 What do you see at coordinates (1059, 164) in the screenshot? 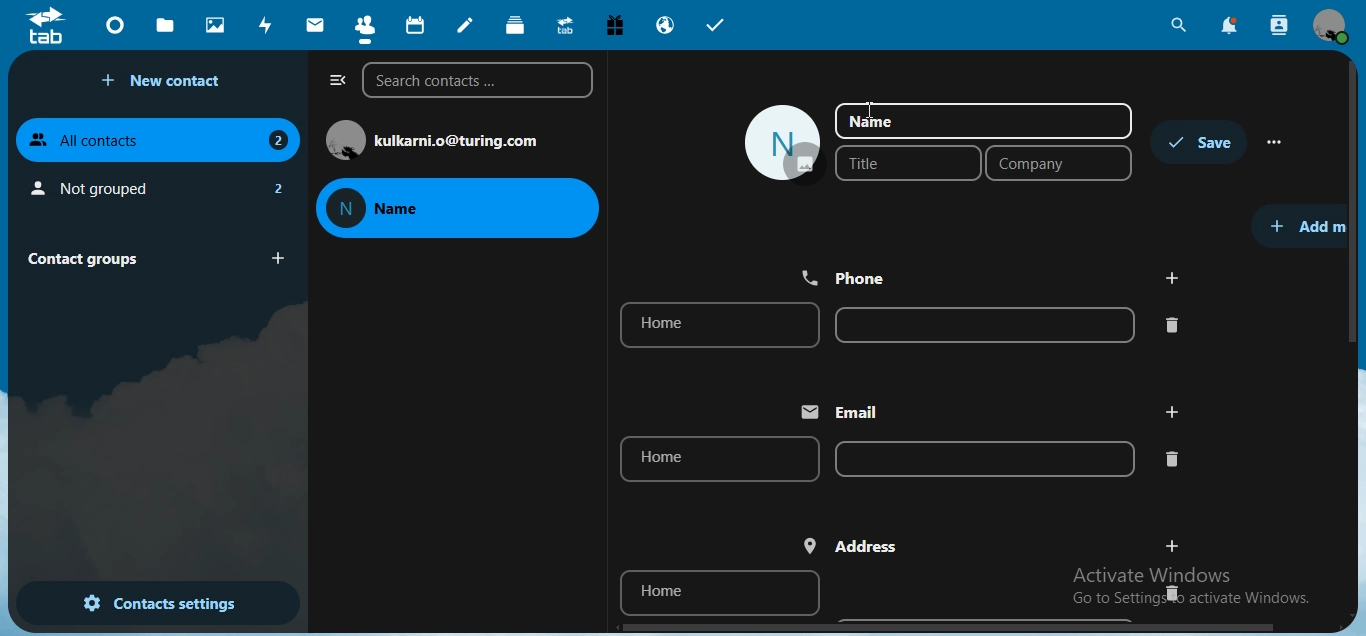
I see `company` at bounding box center [1059, 164].